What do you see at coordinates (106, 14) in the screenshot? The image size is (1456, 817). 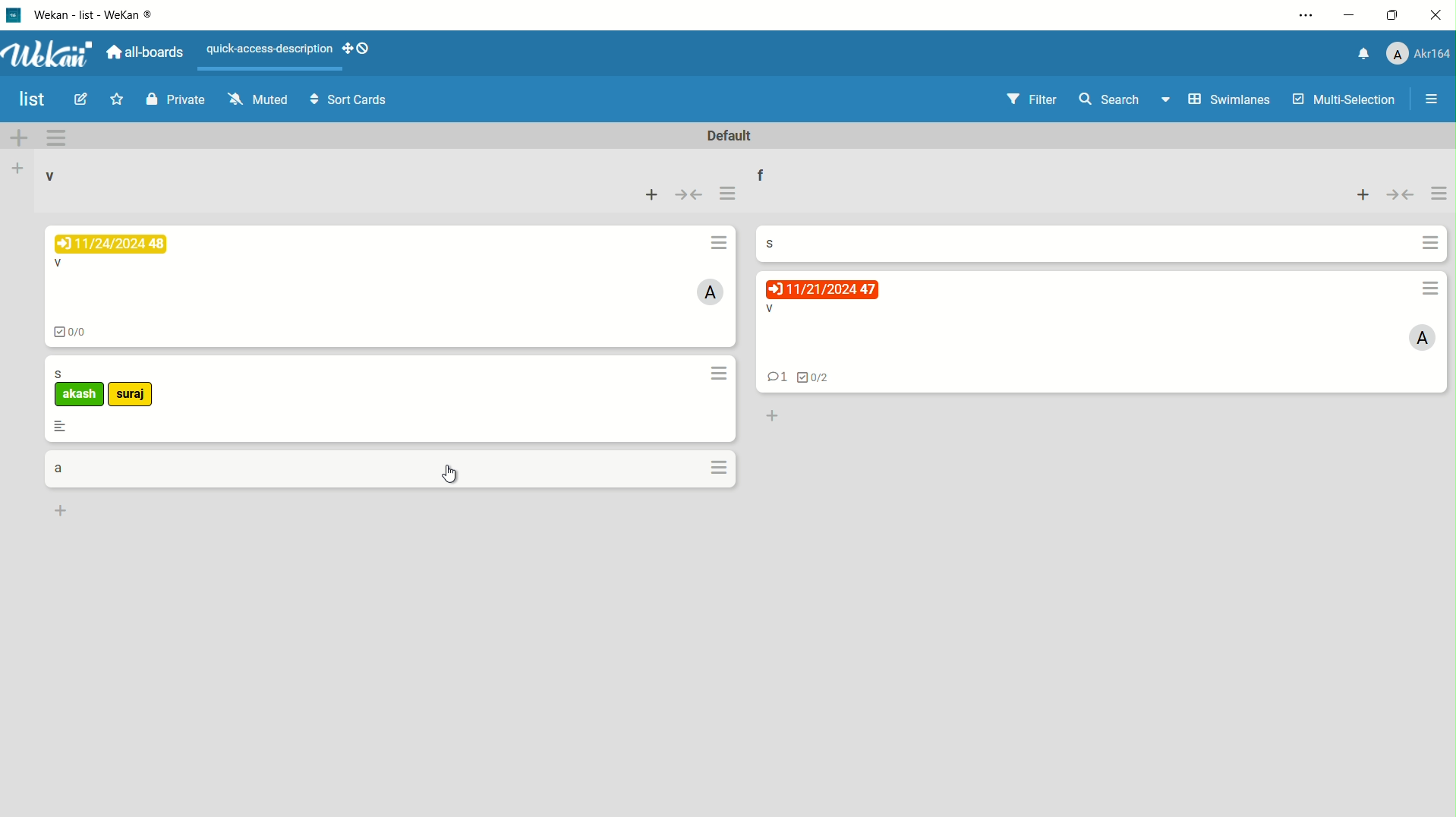 I see `app name` at bounding box center [106, 14].